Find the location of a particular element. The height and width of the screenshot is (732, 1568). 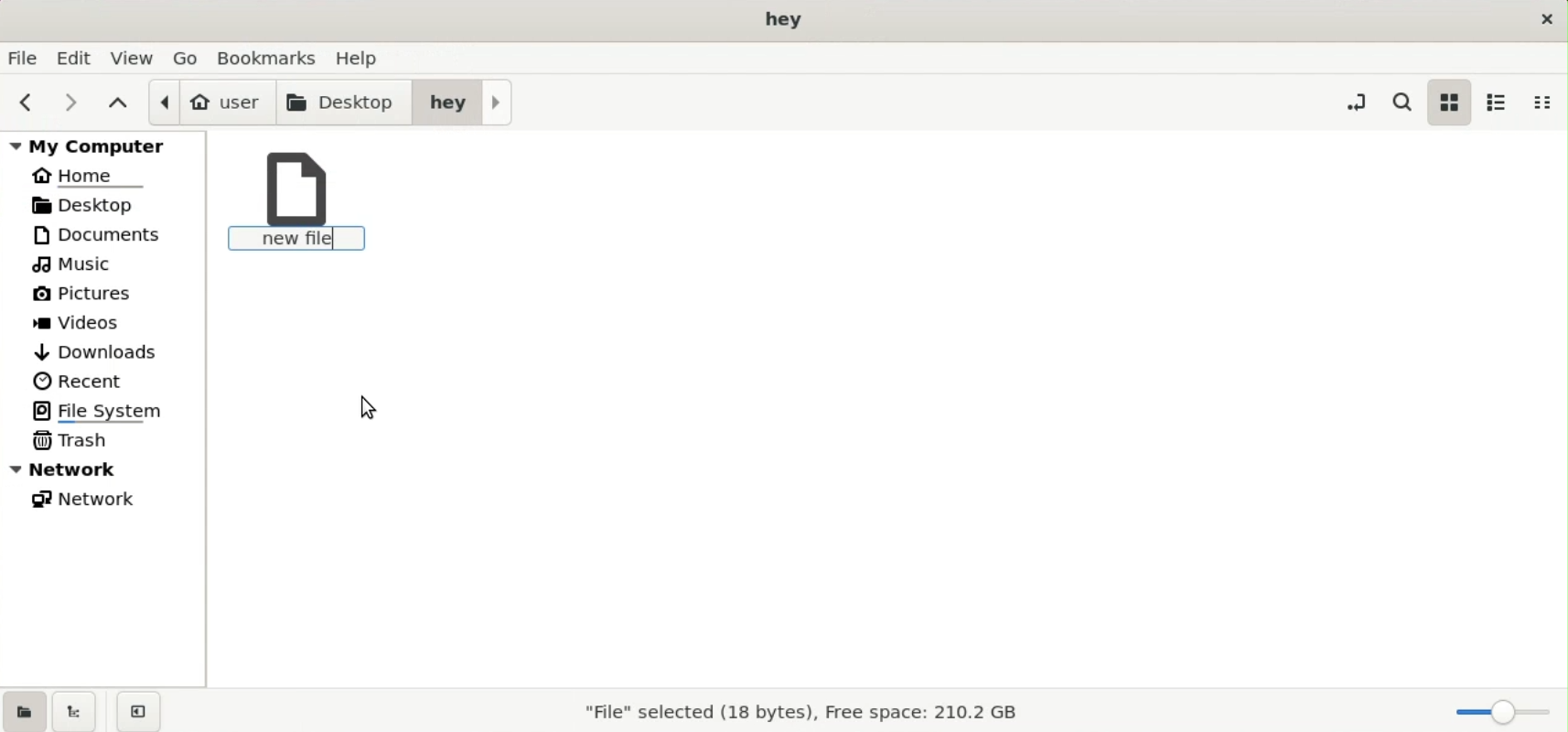

hey is located at coordinates (463, 101).